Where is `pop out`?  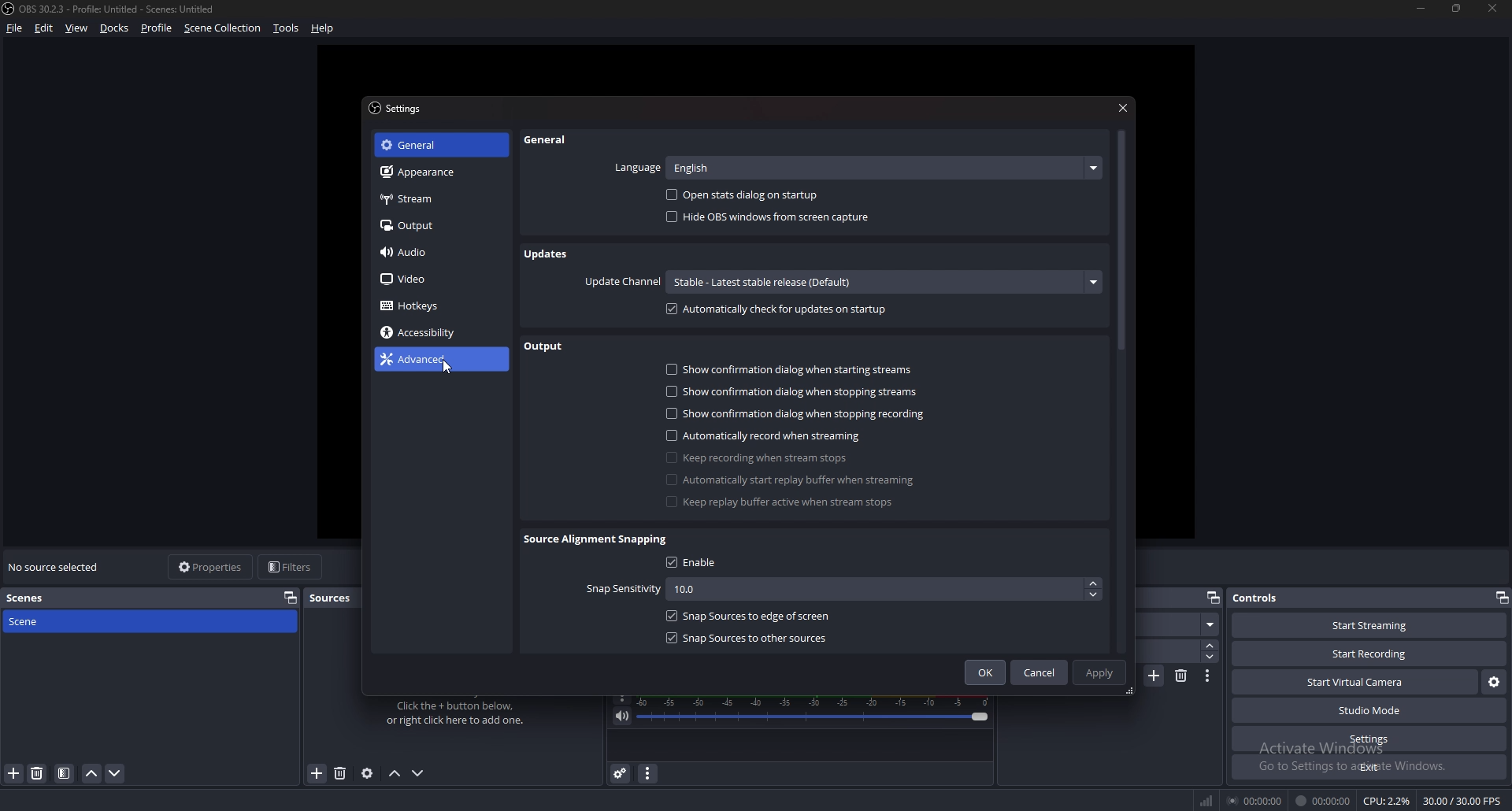
pop out is located at coordinates (291, 597).